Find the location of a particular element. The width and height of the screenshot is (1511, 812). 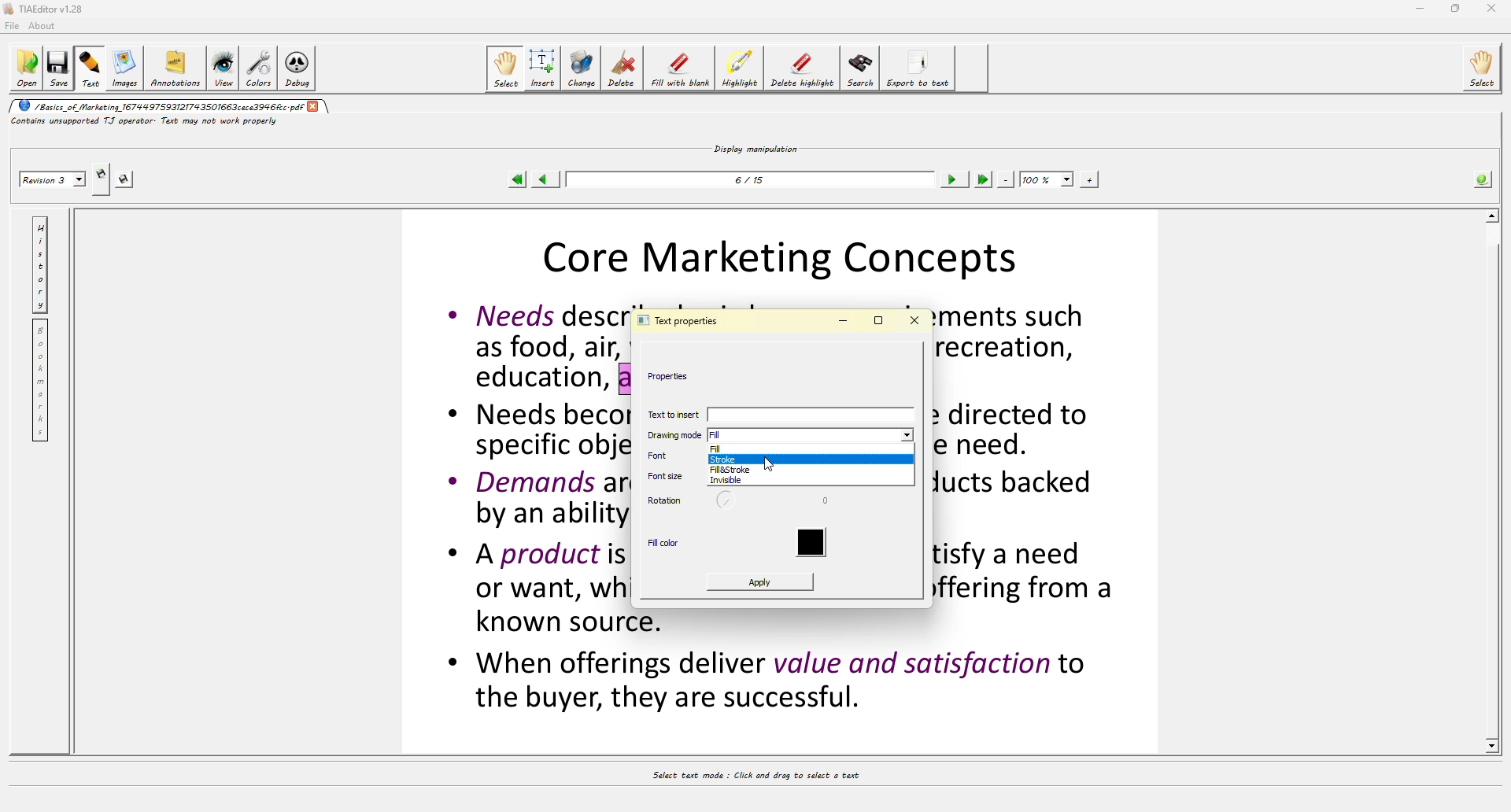

select is located at coordinates (507, 68).